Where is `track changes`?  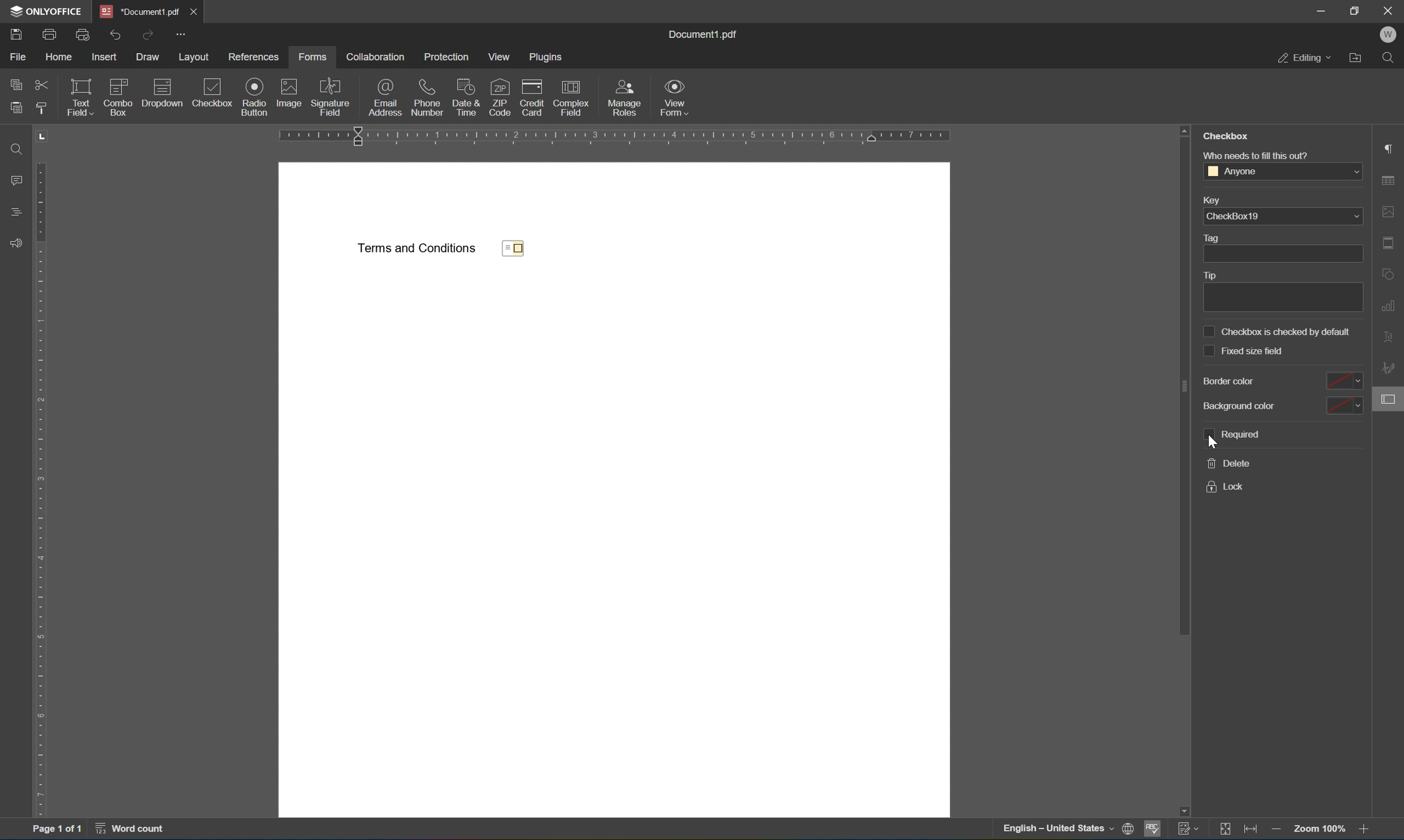
track changes is located at coordinates (1189, 830).